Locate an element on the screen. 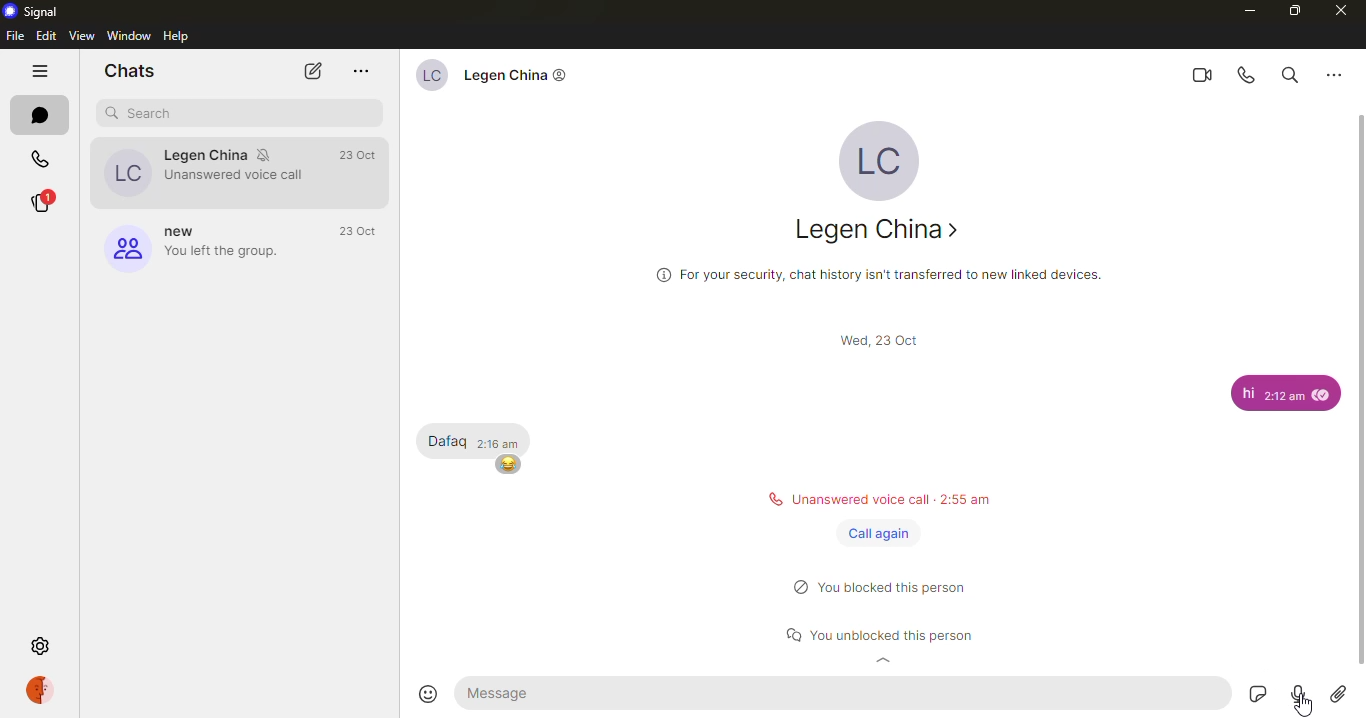  voice call is located at coordinates (1247, 72).